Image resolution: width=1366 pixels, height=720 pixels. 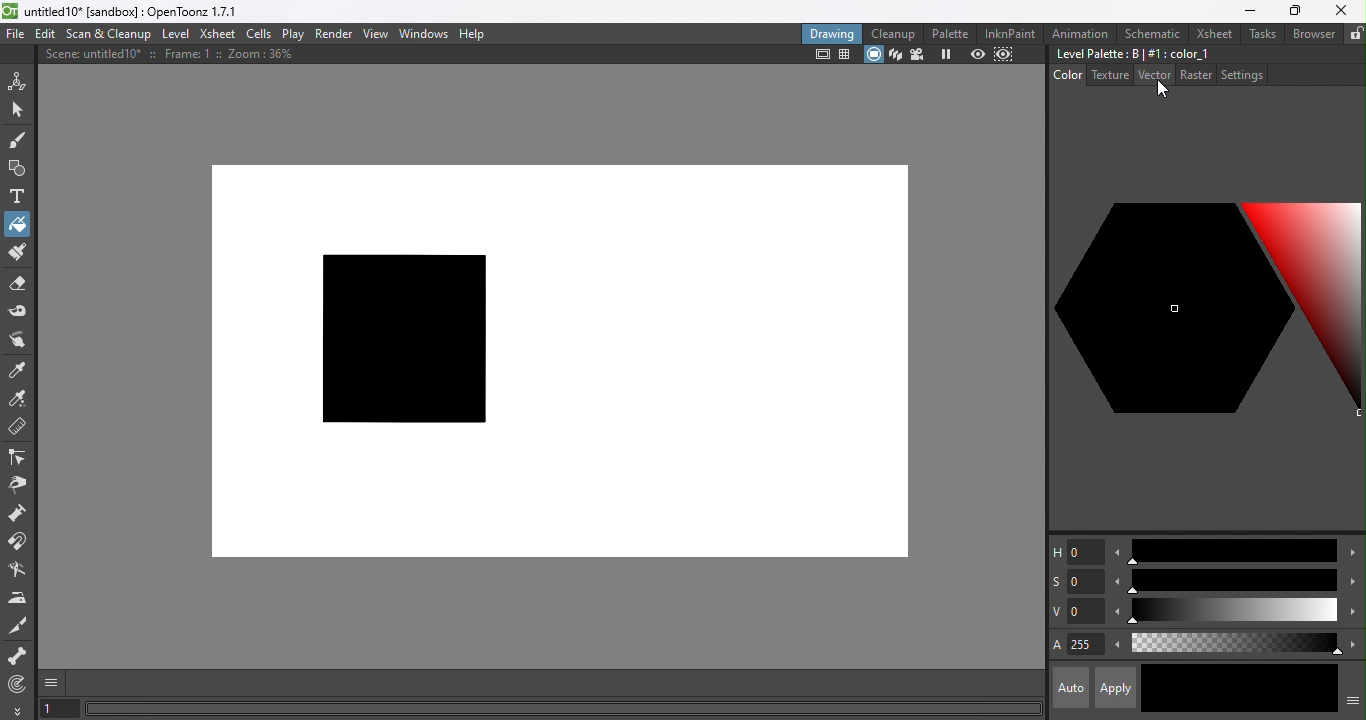 What do you see at coordinates (1353, 698) in the screenshot?
I see `Show or hide parts of the color page` at bounding box center [1353, 698].